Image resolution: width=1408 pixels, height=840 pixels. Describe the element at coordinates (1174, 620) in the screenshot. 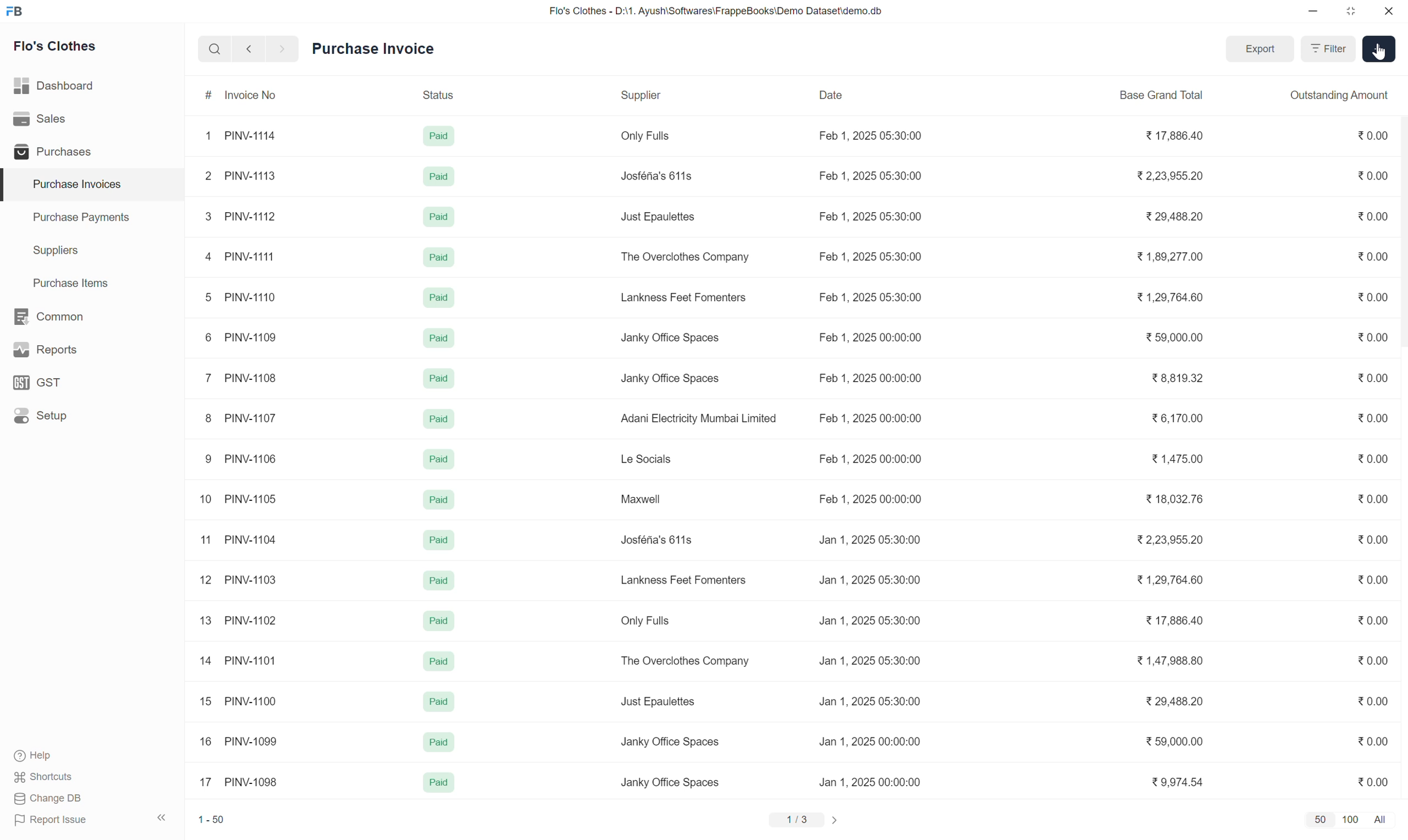

I see `17,886.40` at that location.